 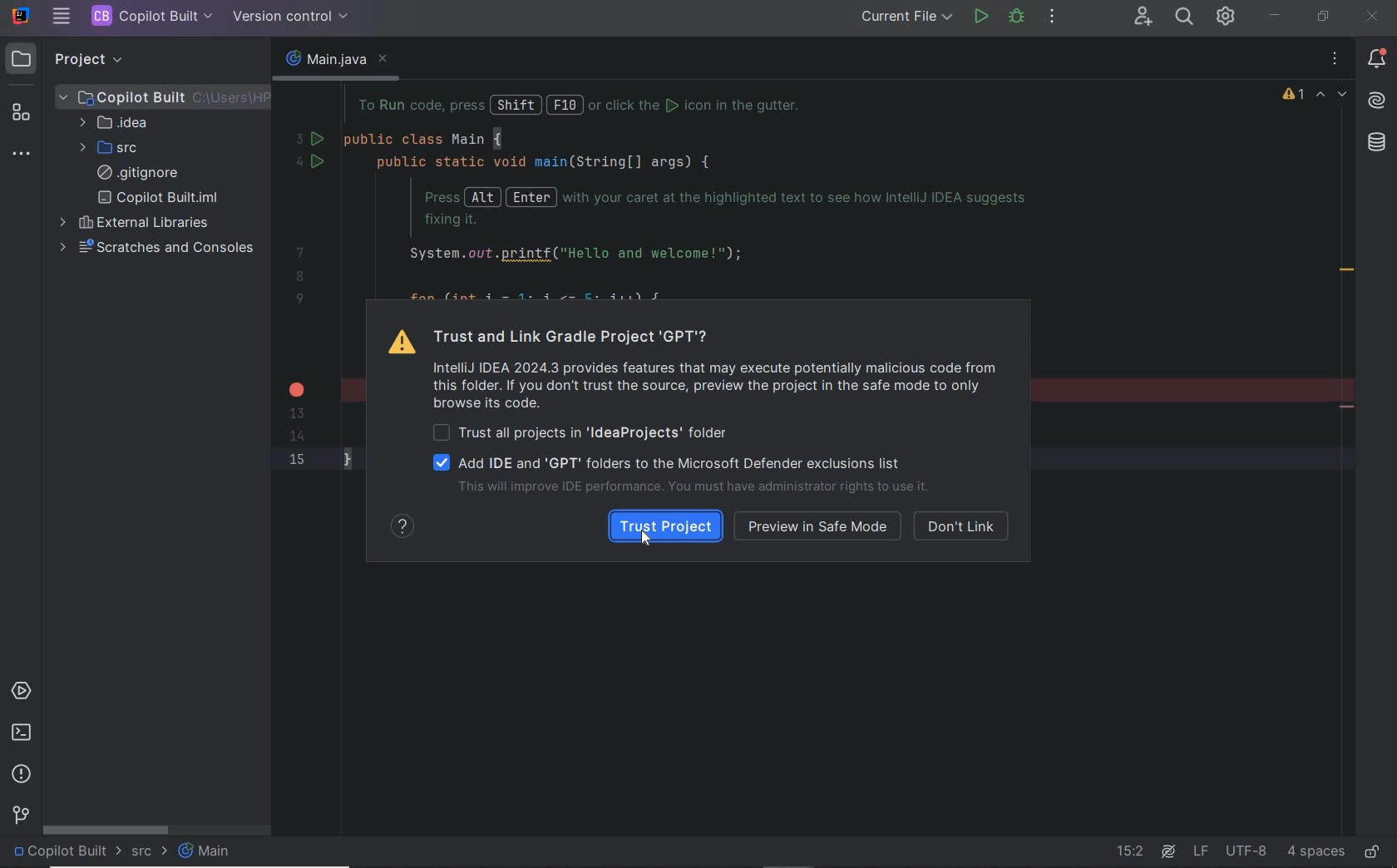 What do you see at coordinates (21, 732) in the screenshot?
I see `terminal` at bounding box center [21, 732].